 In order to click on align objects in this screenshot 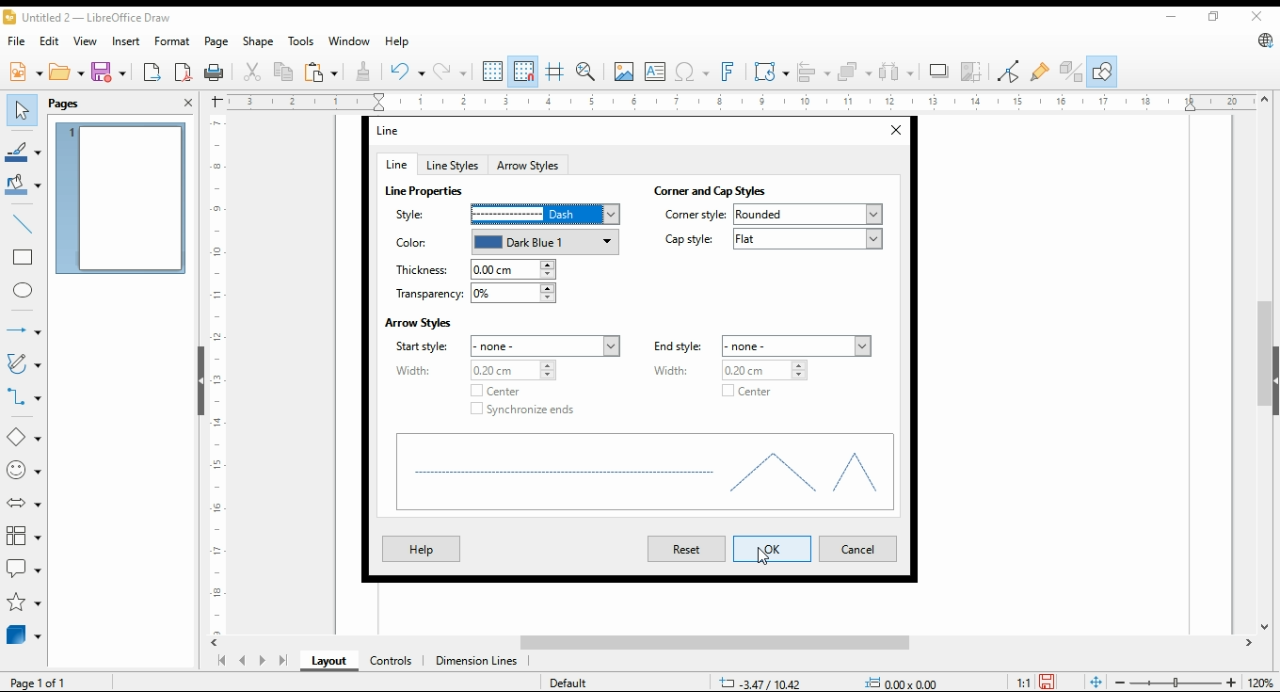, I will do `click(810, 70)`.